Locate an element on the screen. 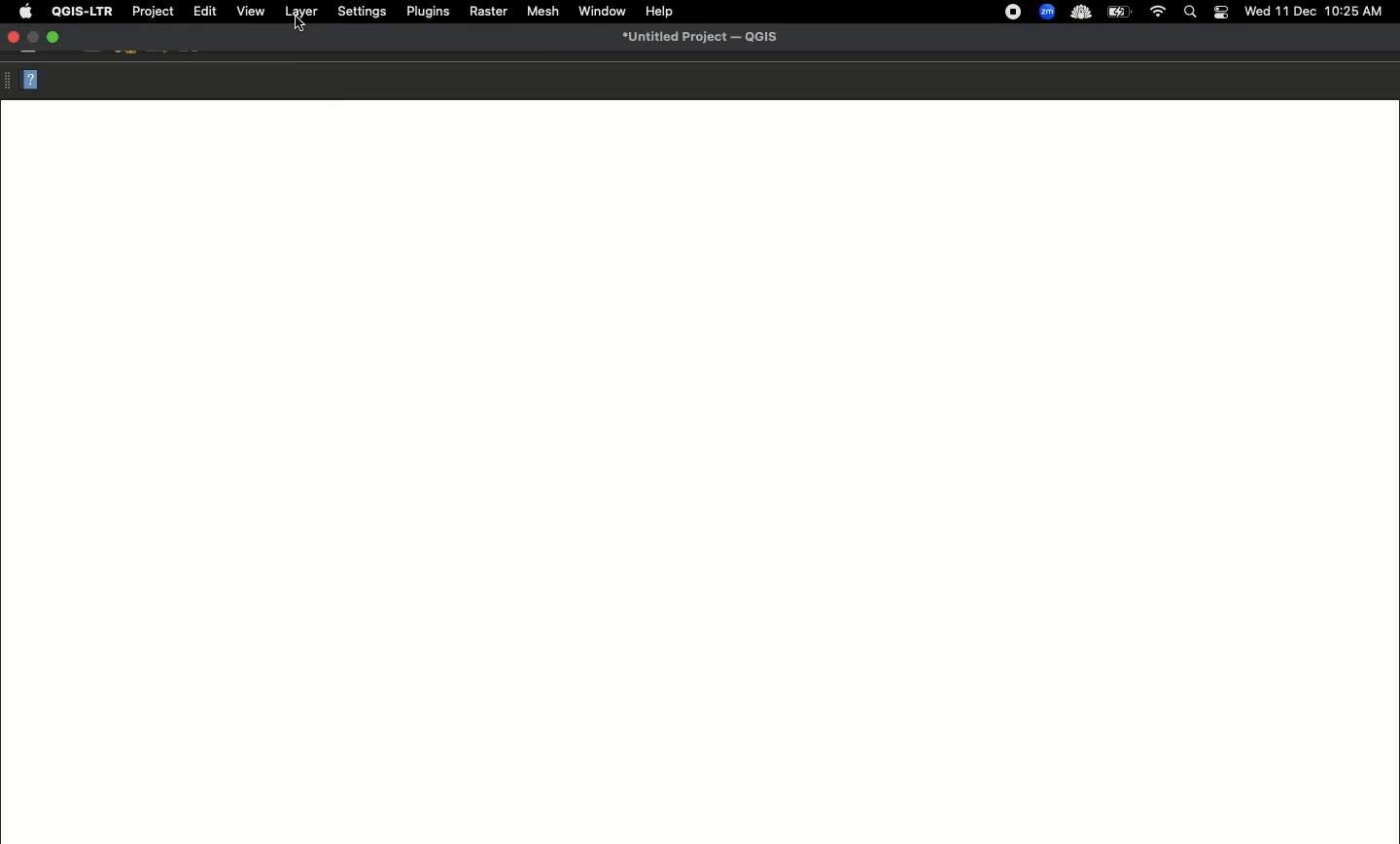 The width and height of the screenshot is (1400, 844). Notification is located at coordinates (1220, 11).